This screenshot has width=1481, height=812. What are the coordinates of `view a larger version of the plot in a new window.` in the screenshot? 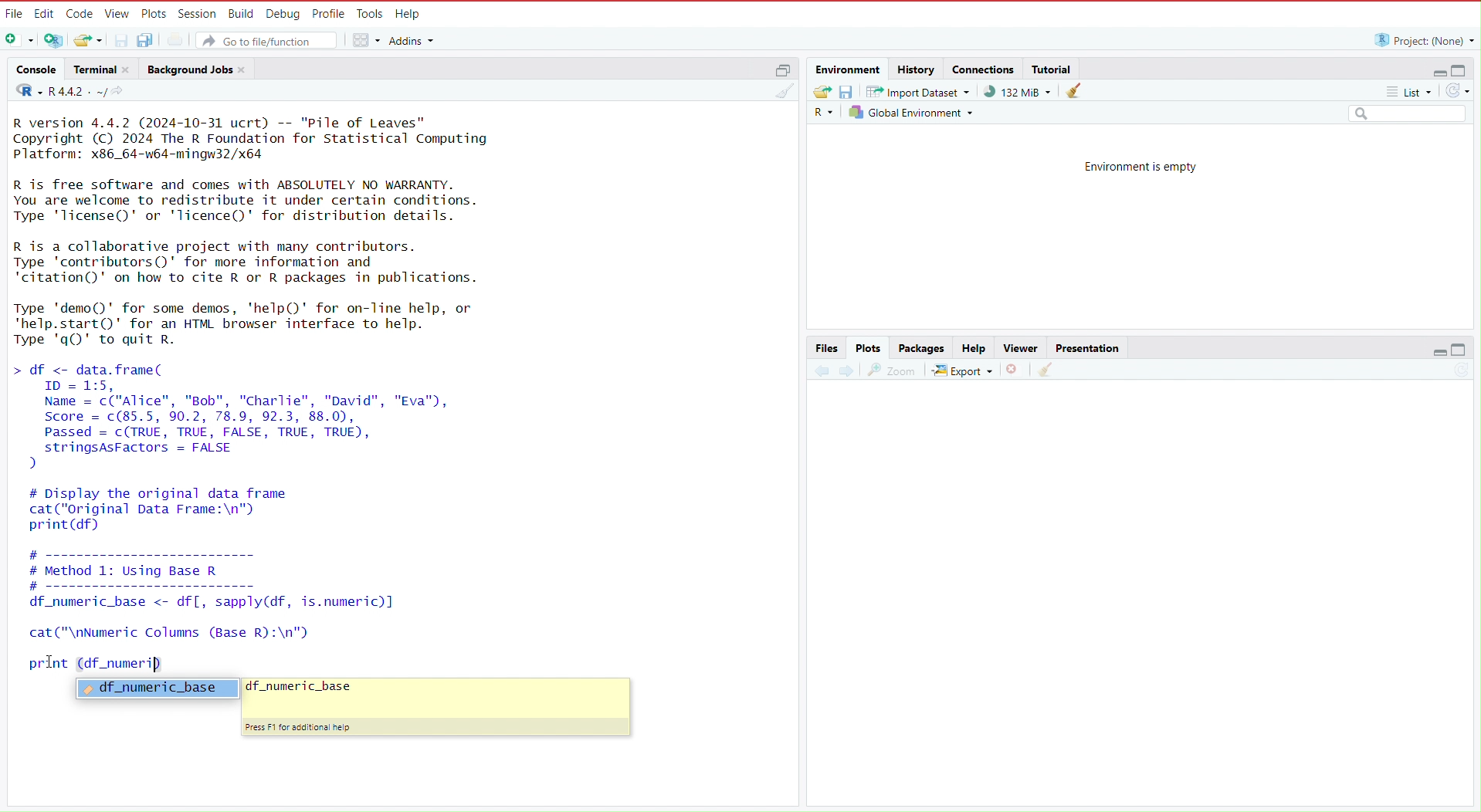 It's located at (893, 370).